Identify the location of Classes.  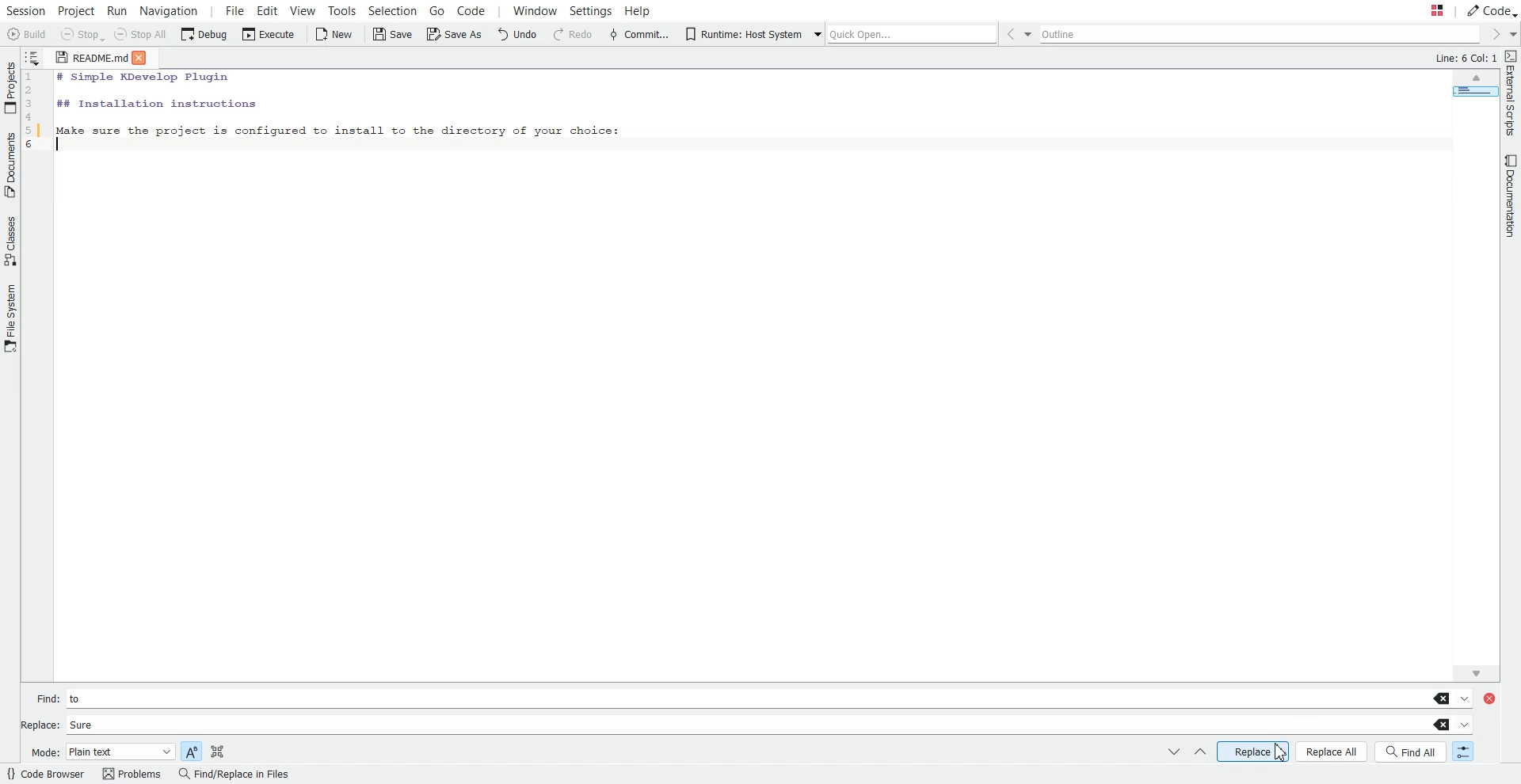
(10, 241).